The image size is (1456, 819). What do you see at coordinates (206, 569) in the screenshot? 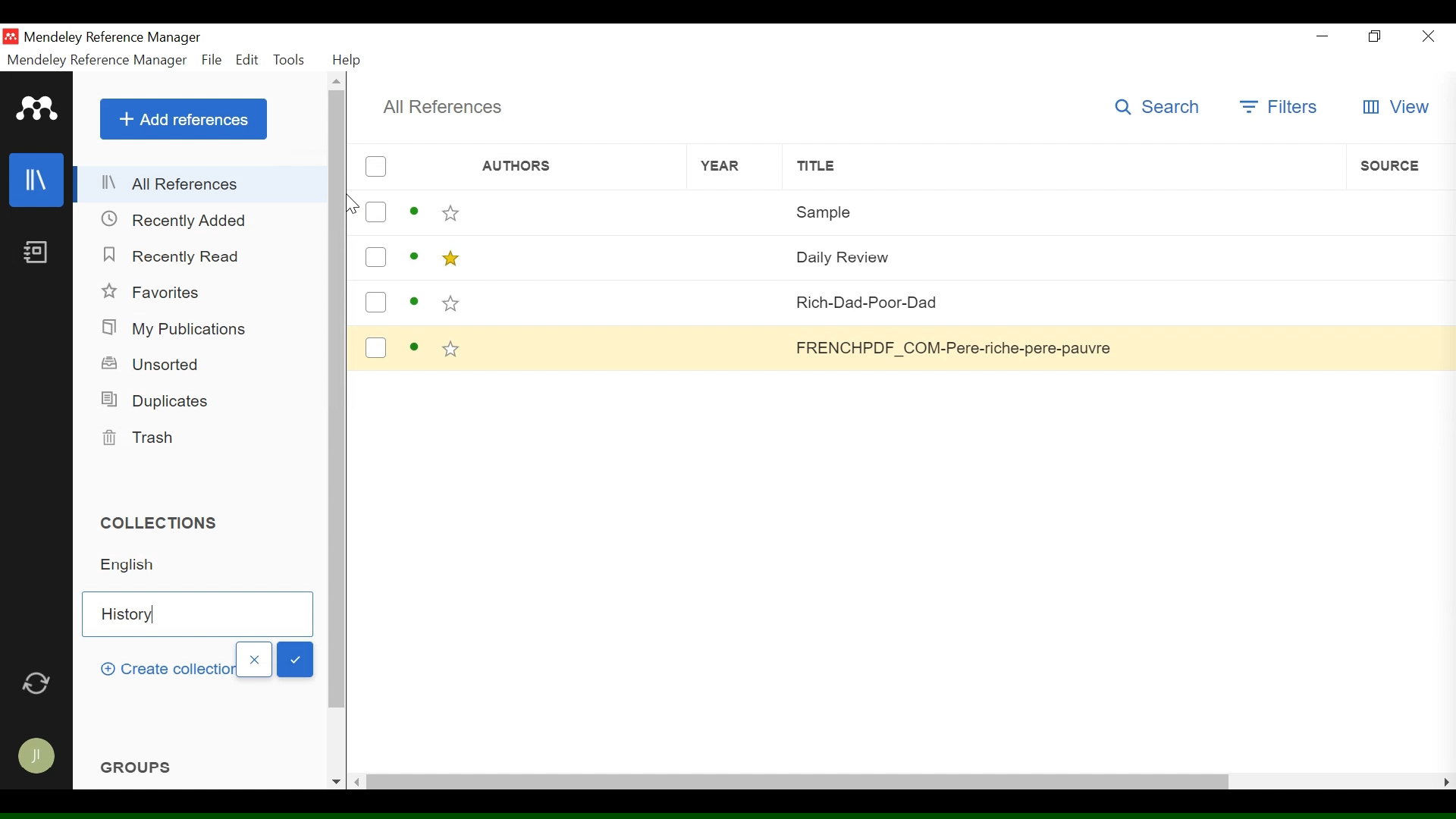
I see `Collection` at bounding box center [206, 569].